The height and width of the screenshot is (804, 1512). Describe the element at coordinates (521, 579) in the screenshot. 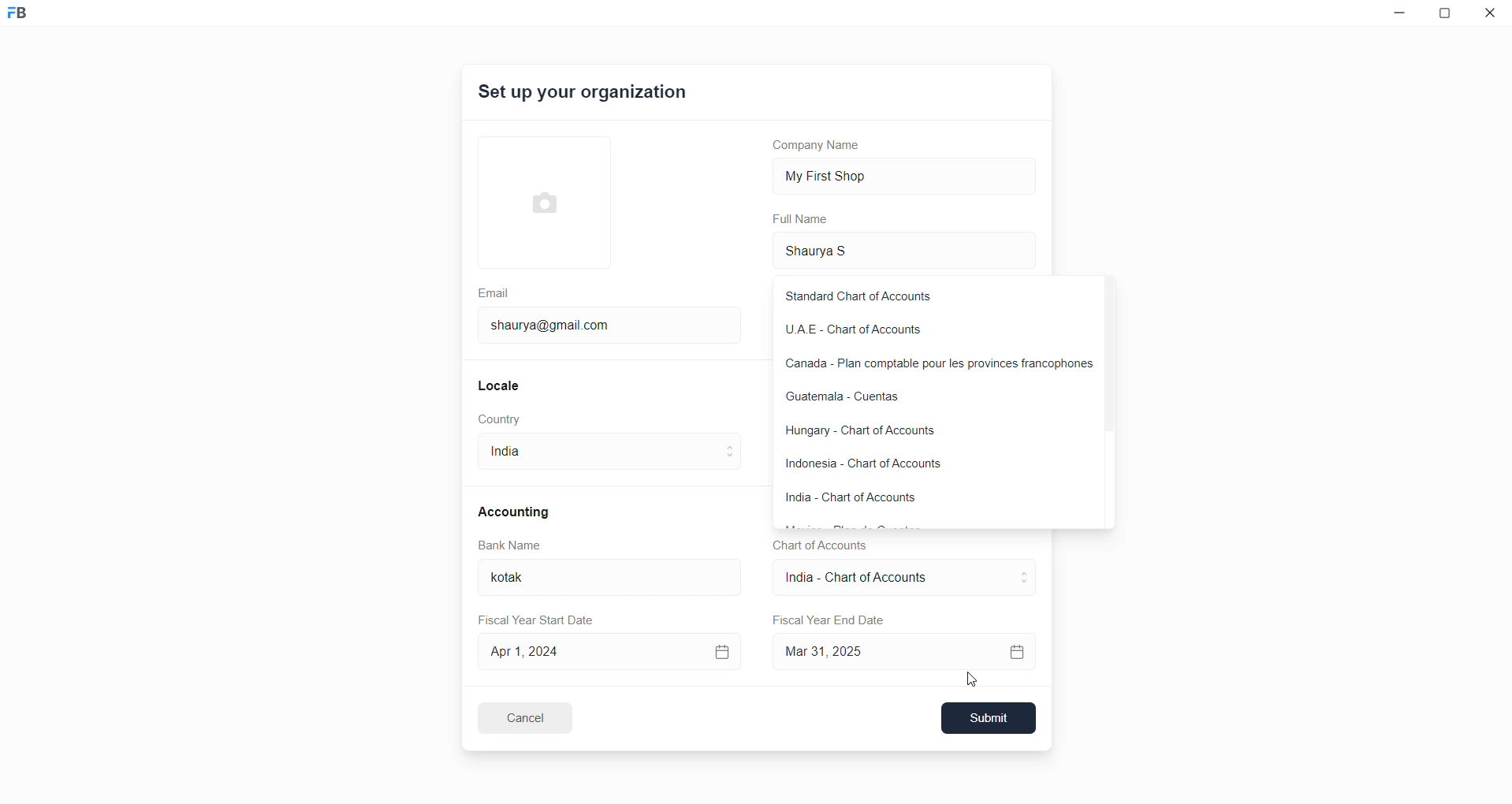

I see `kotak` at that location.